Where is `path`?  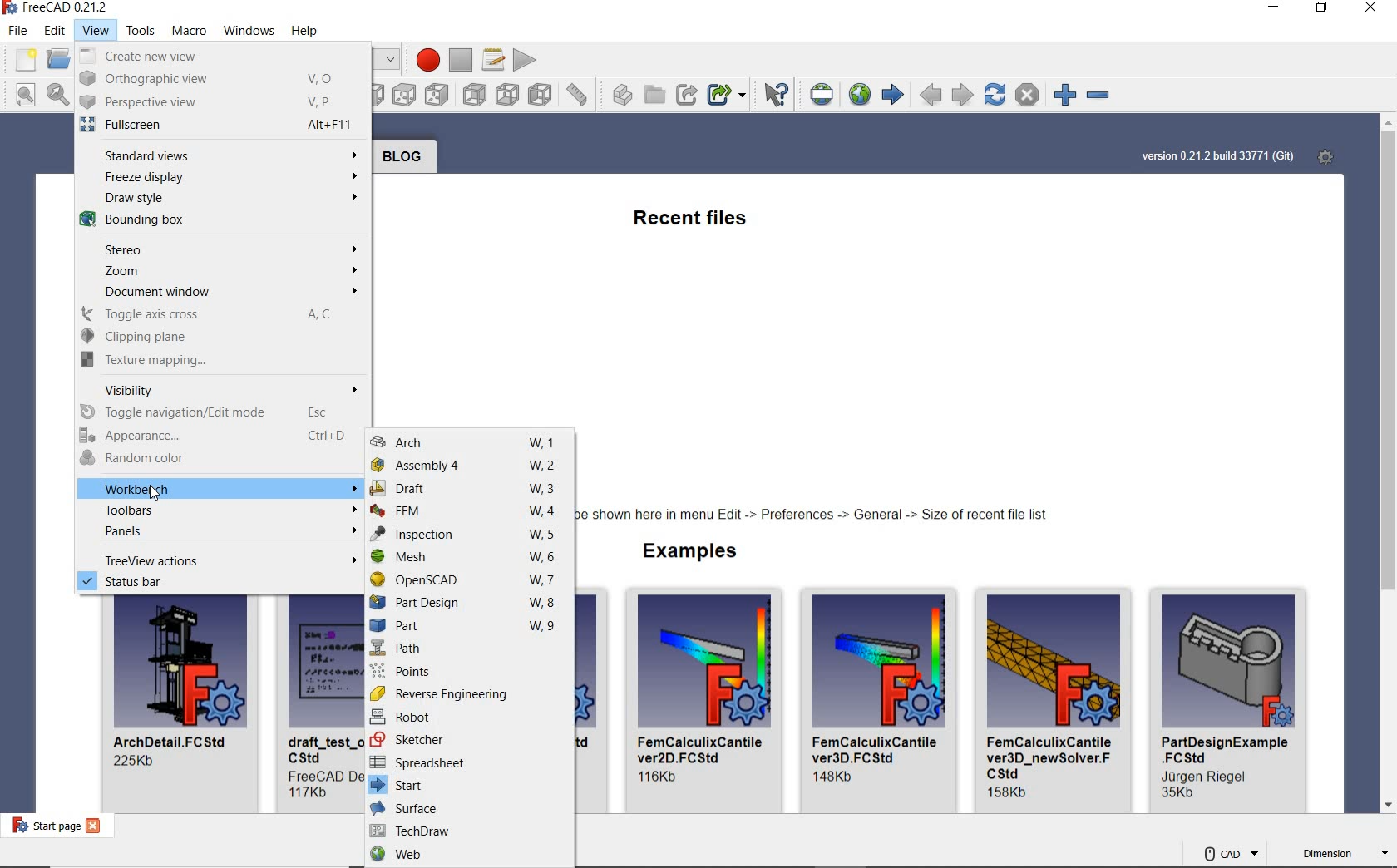
path is located at coordinates (471, 648).